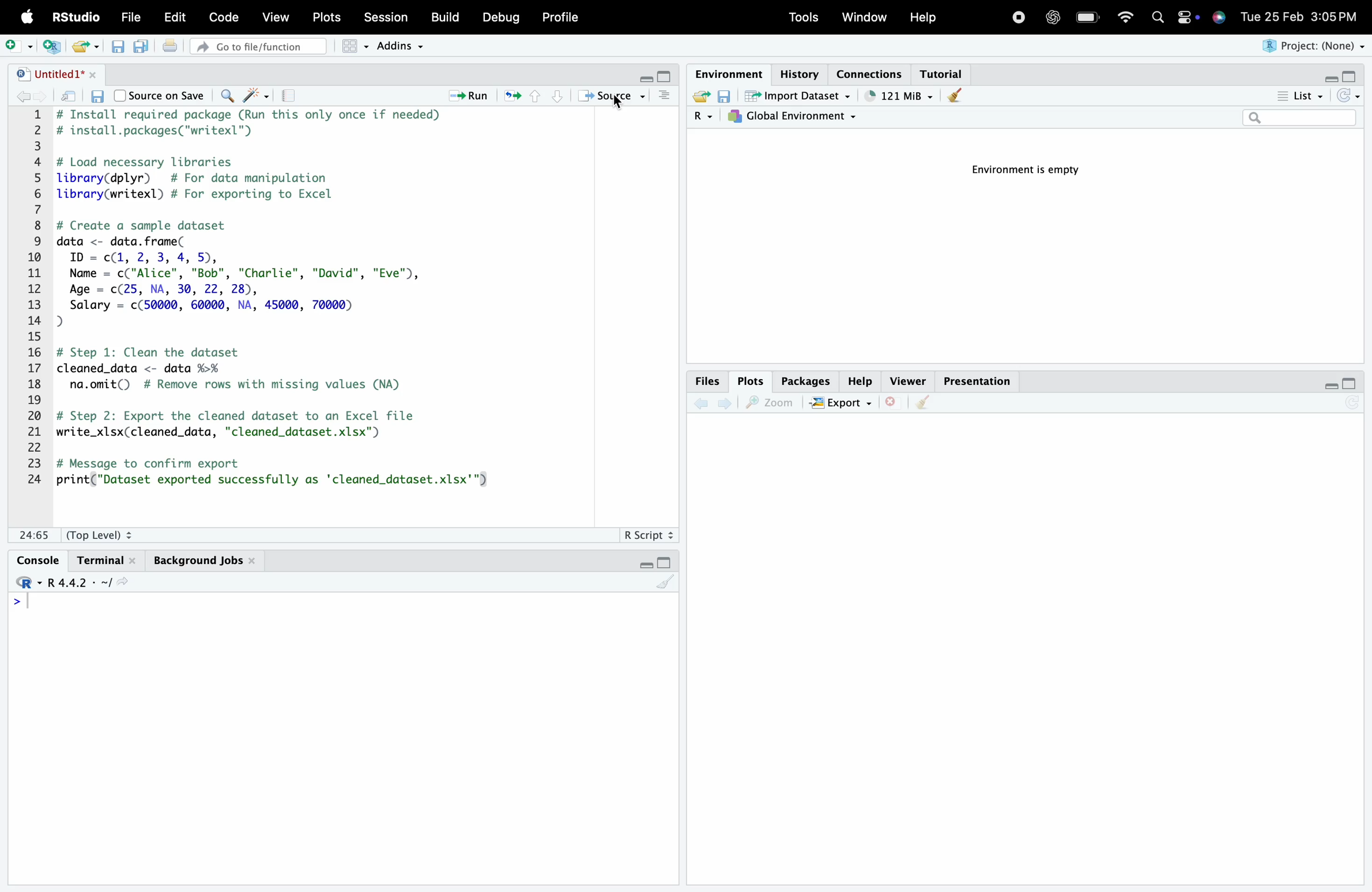 This screenshot has height=892, width=1372. Describe the element at coordinates (728, 97) in the screenshot. I see `Save workspace as` at that location.